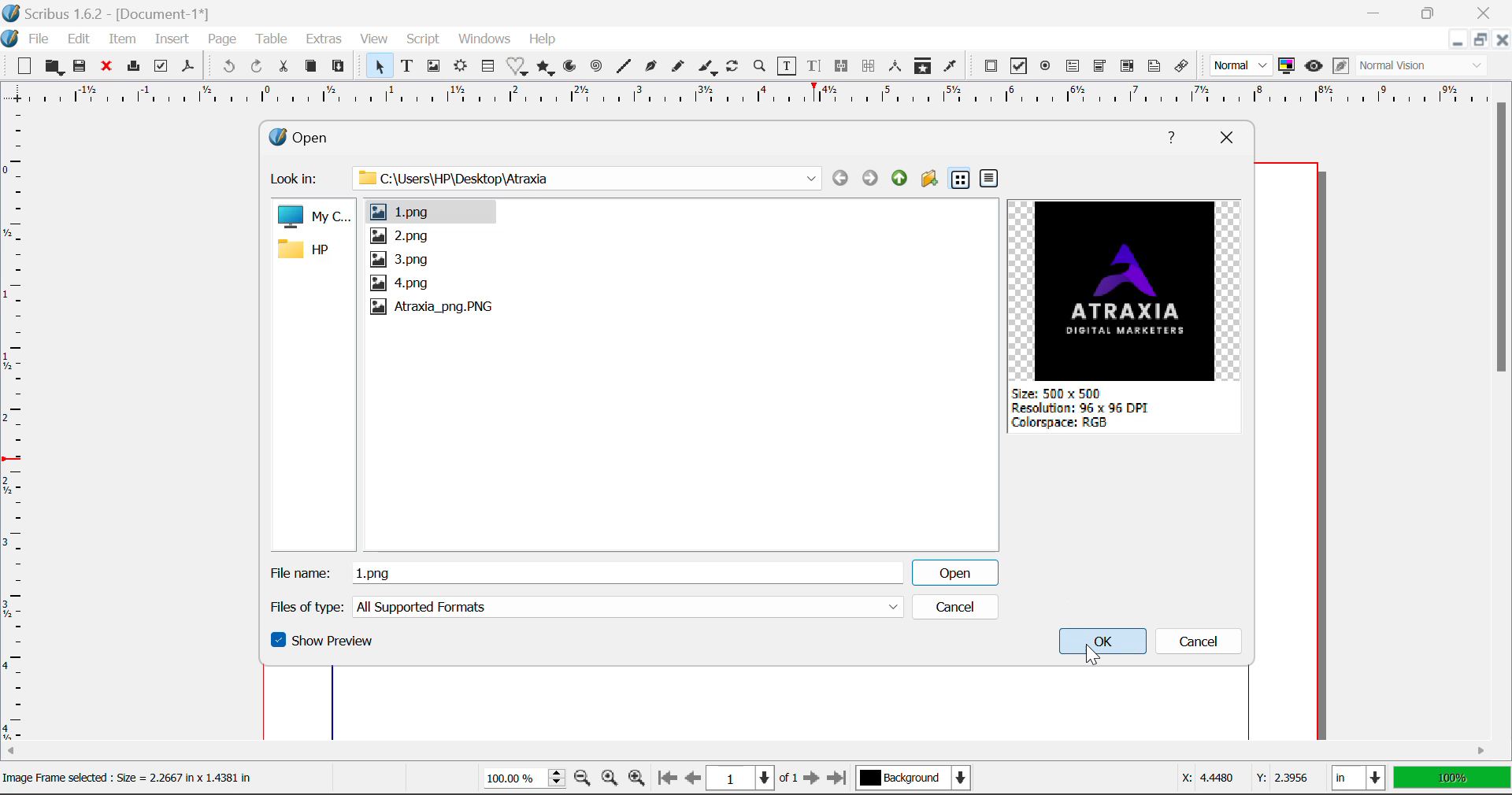 This screenshot has width=1512, height=795. Describe the element at coordinates (123, 40) in the screenshot. I see `Item` at that location.